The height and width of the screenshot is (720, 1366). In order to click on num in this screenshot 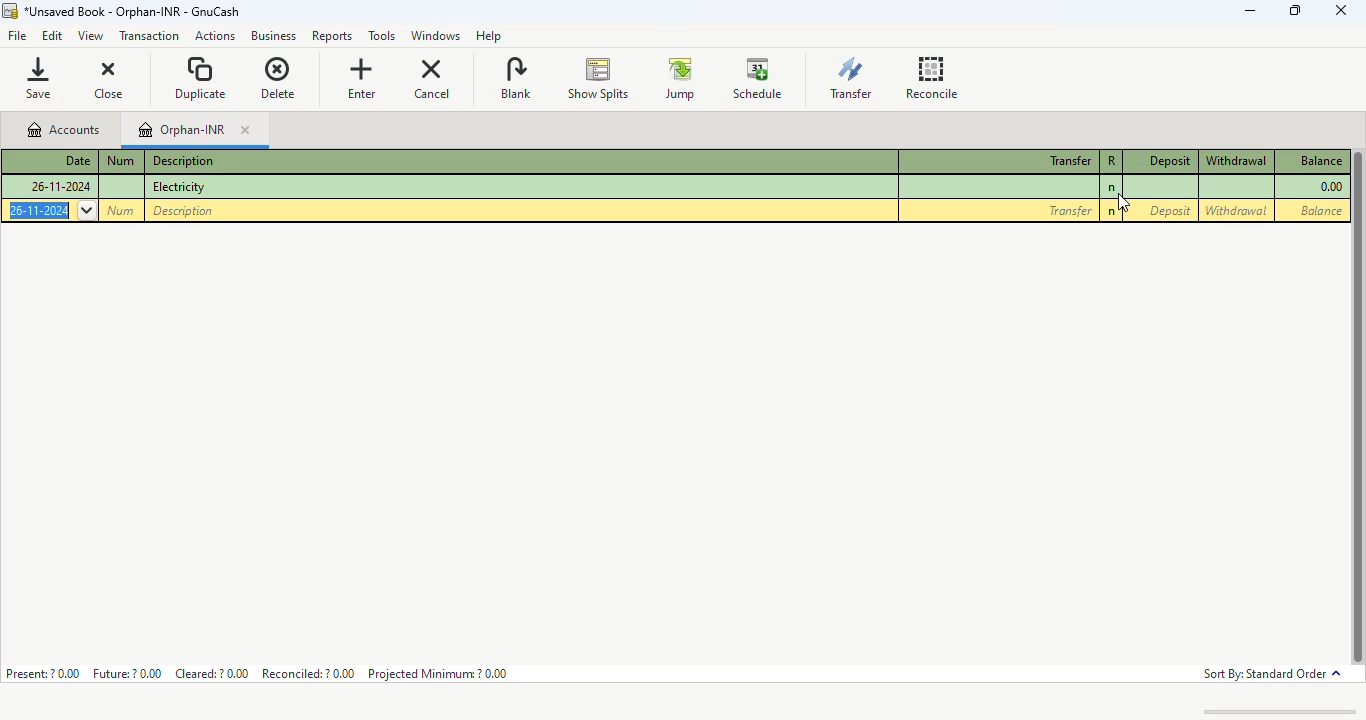, I will do `click(121, 160)`.